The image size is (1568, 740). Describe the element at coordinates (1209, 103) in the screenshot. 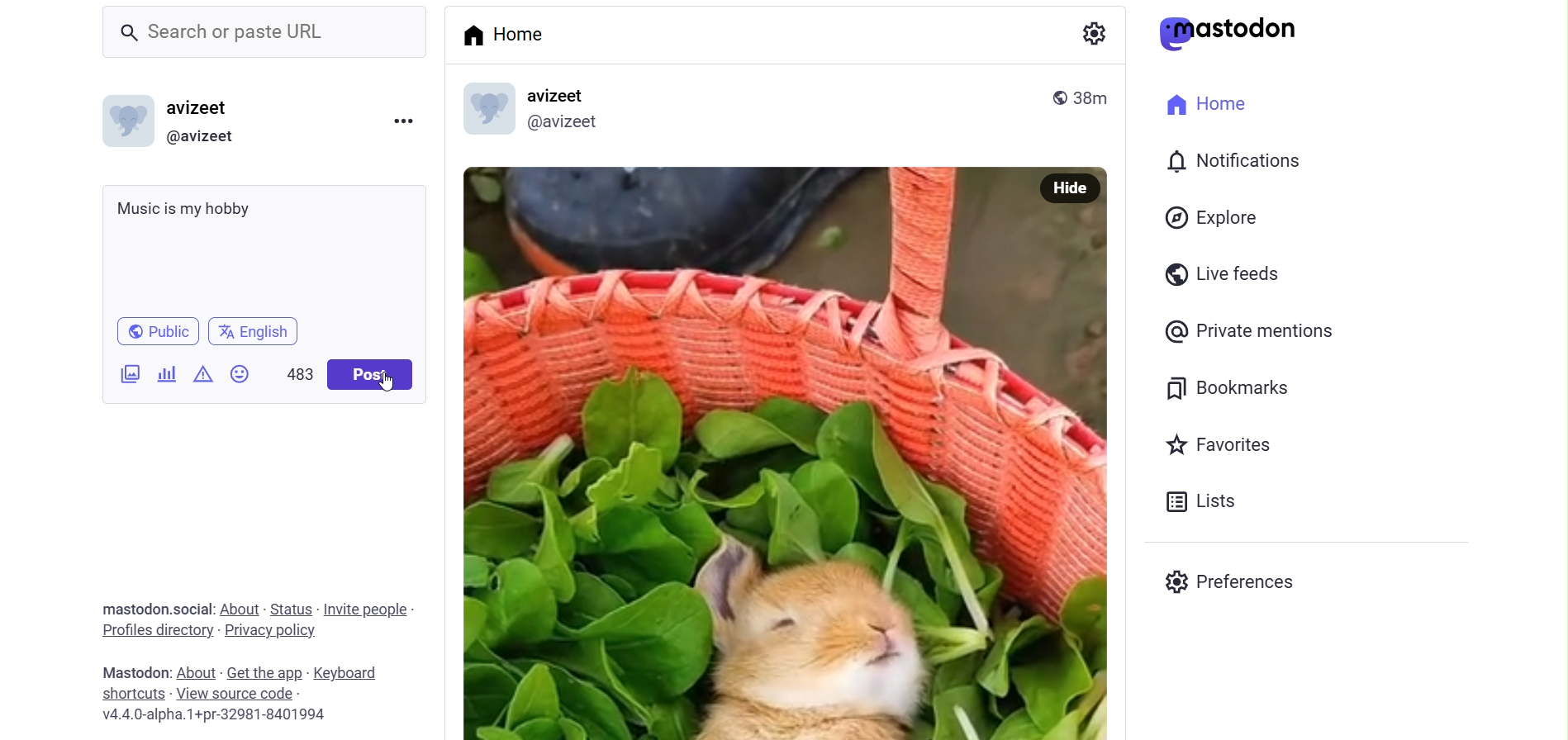

I see `Home` at that location.